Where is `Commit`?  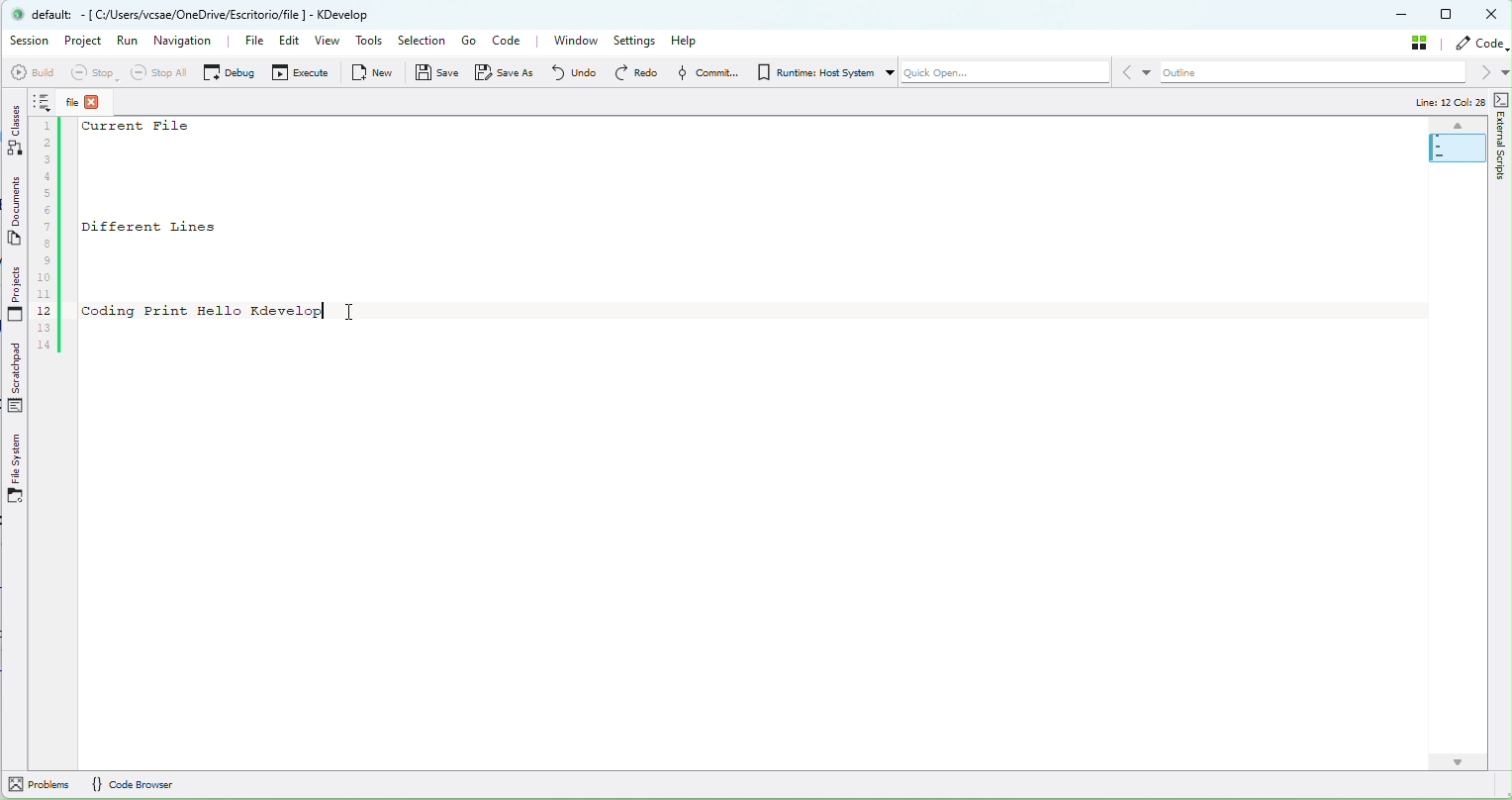
Commit is located at coordinates (705, 72).